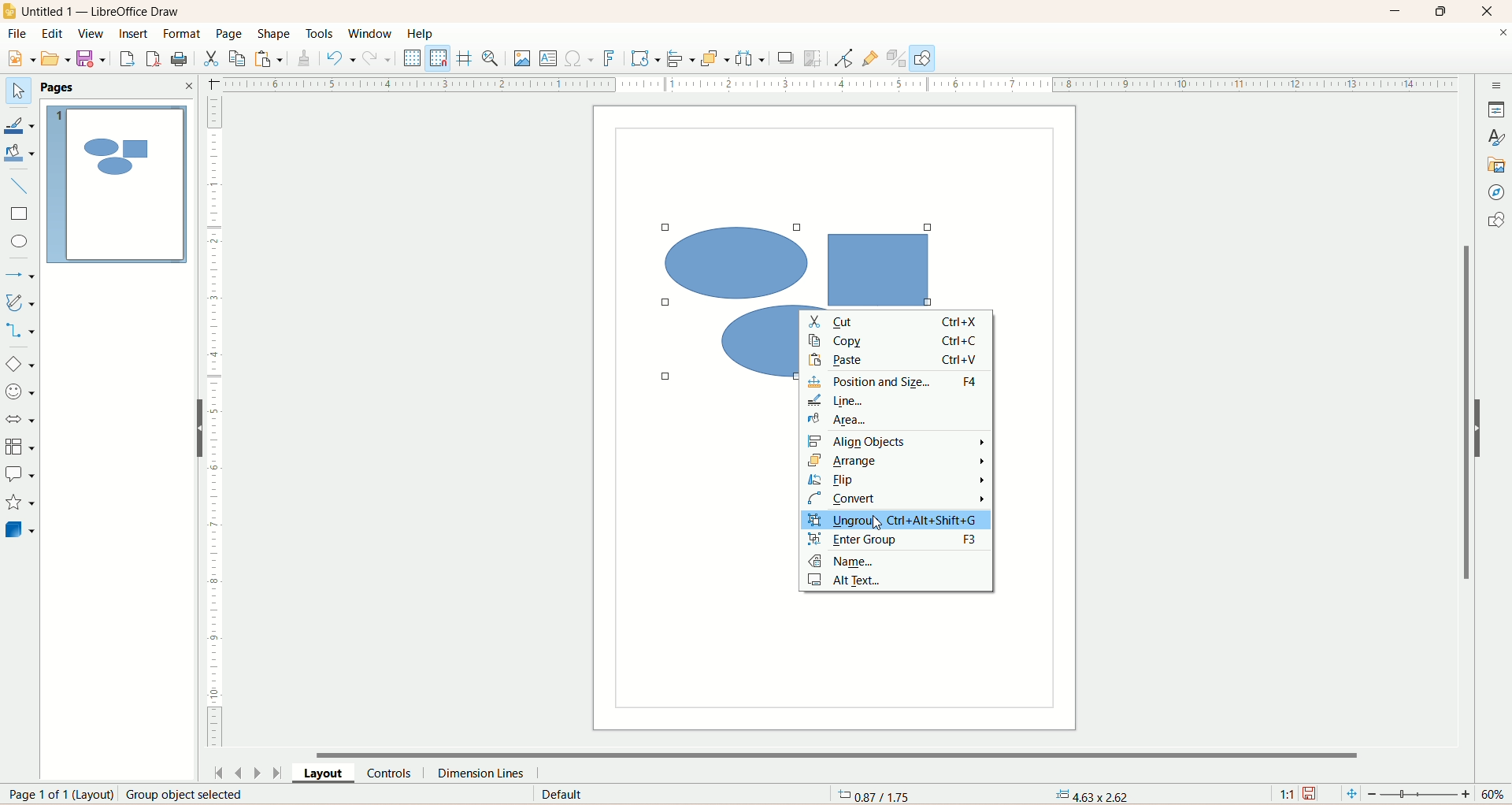 Image resolution: width=1512 pixels, height=805 pixels. I want to click on point edit, so click(841, 58).